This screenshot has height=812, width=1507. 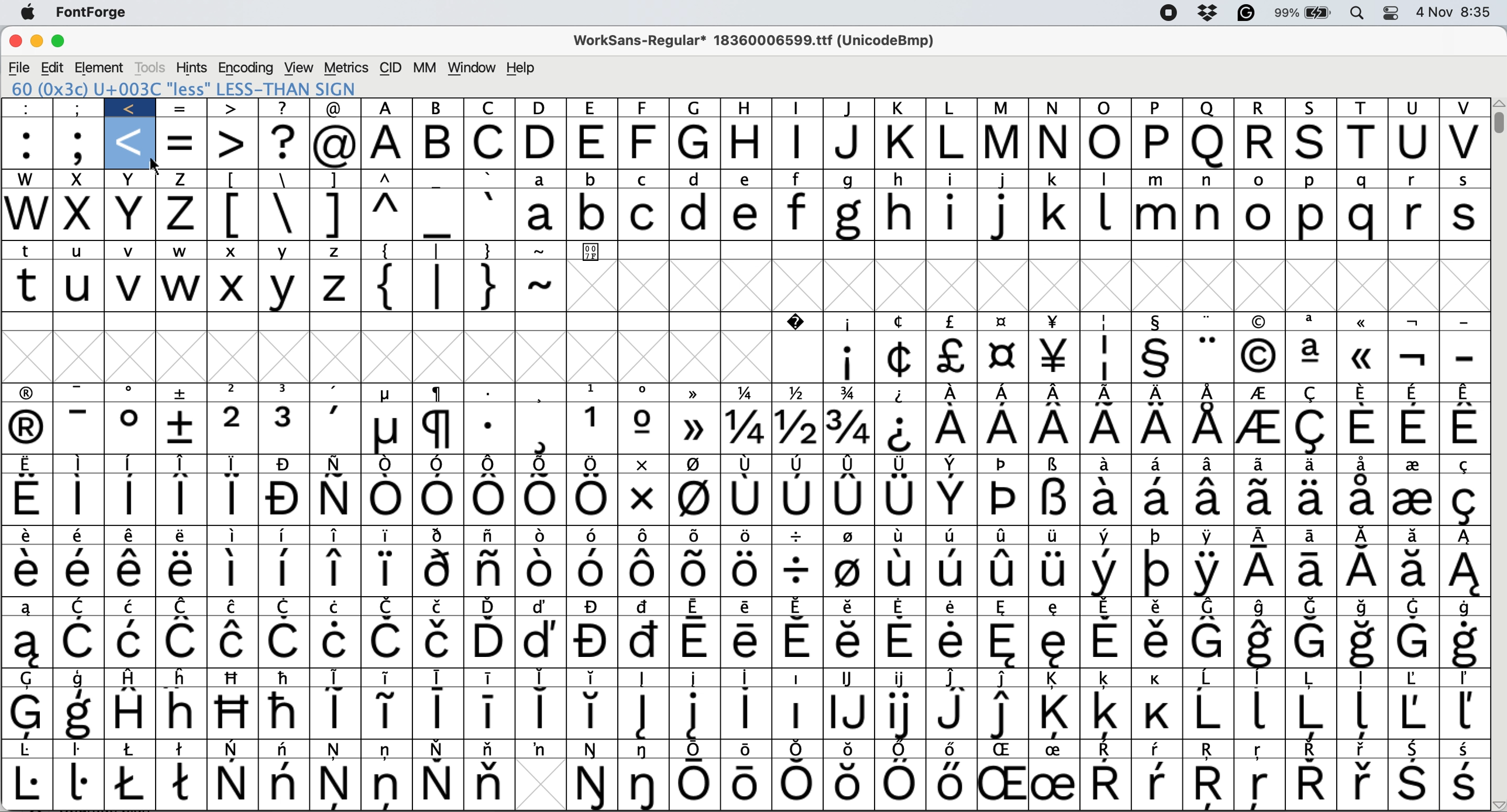 What do you see at coordinates (1208, 751) in the screenshot?
I see `Symbol` at bounding box center [1208, 751].